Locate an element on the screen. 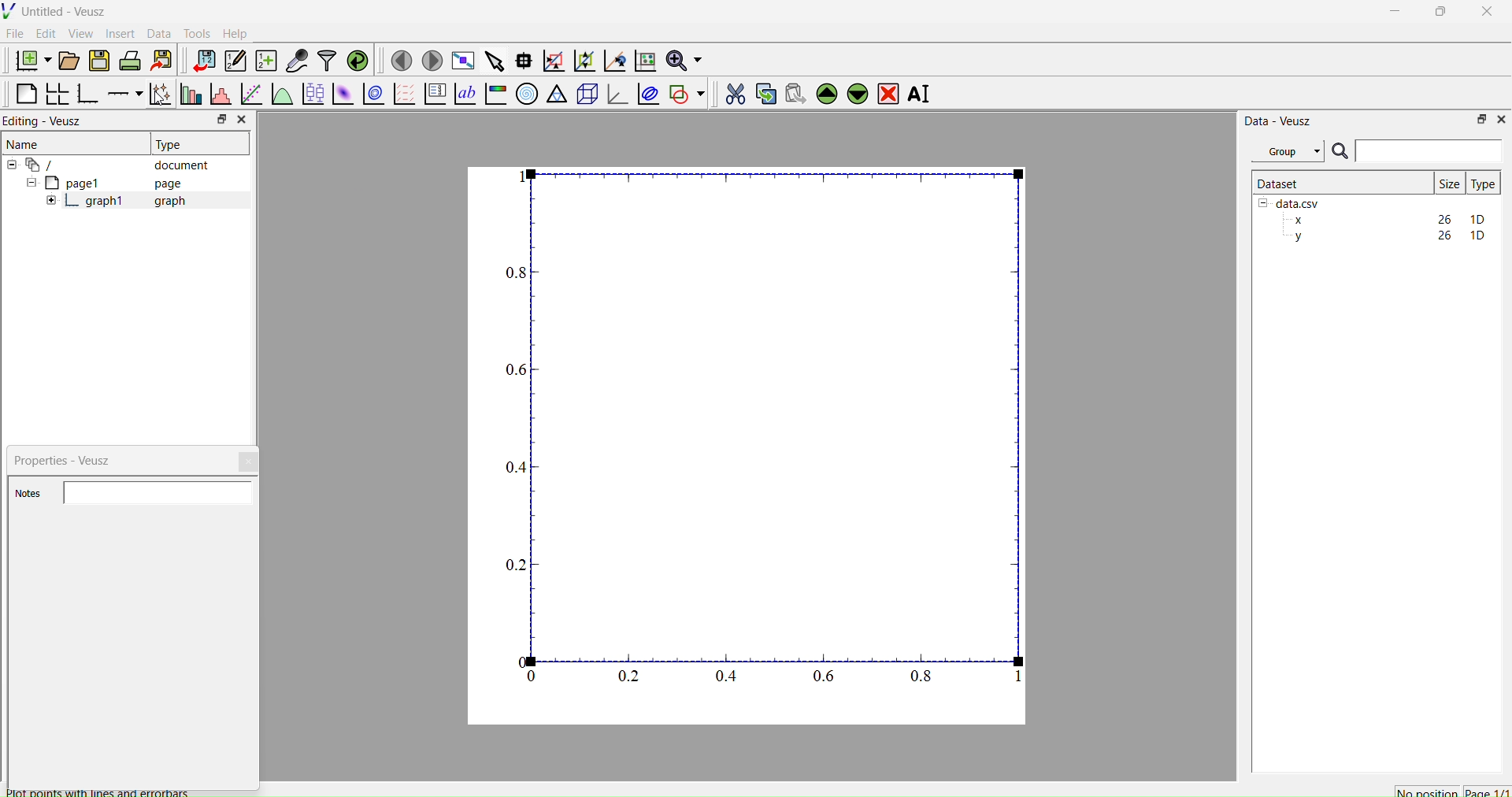 The width and height of the screenshot is (1512, 797). Edit is located at coordinates (44, 33).